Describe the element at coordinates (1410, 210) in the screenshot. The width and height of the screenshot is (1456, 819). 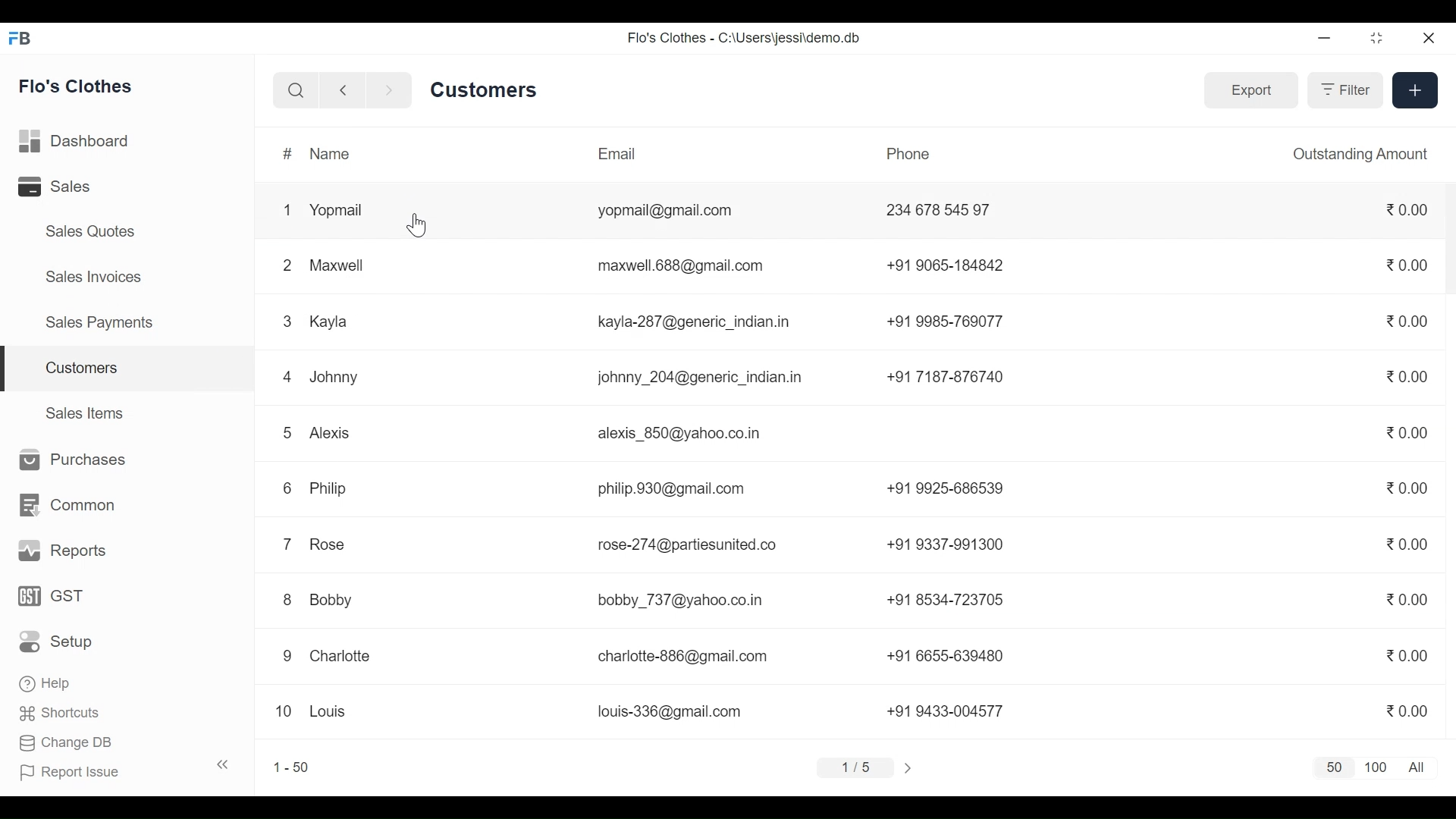
I see `0.00` at that location.